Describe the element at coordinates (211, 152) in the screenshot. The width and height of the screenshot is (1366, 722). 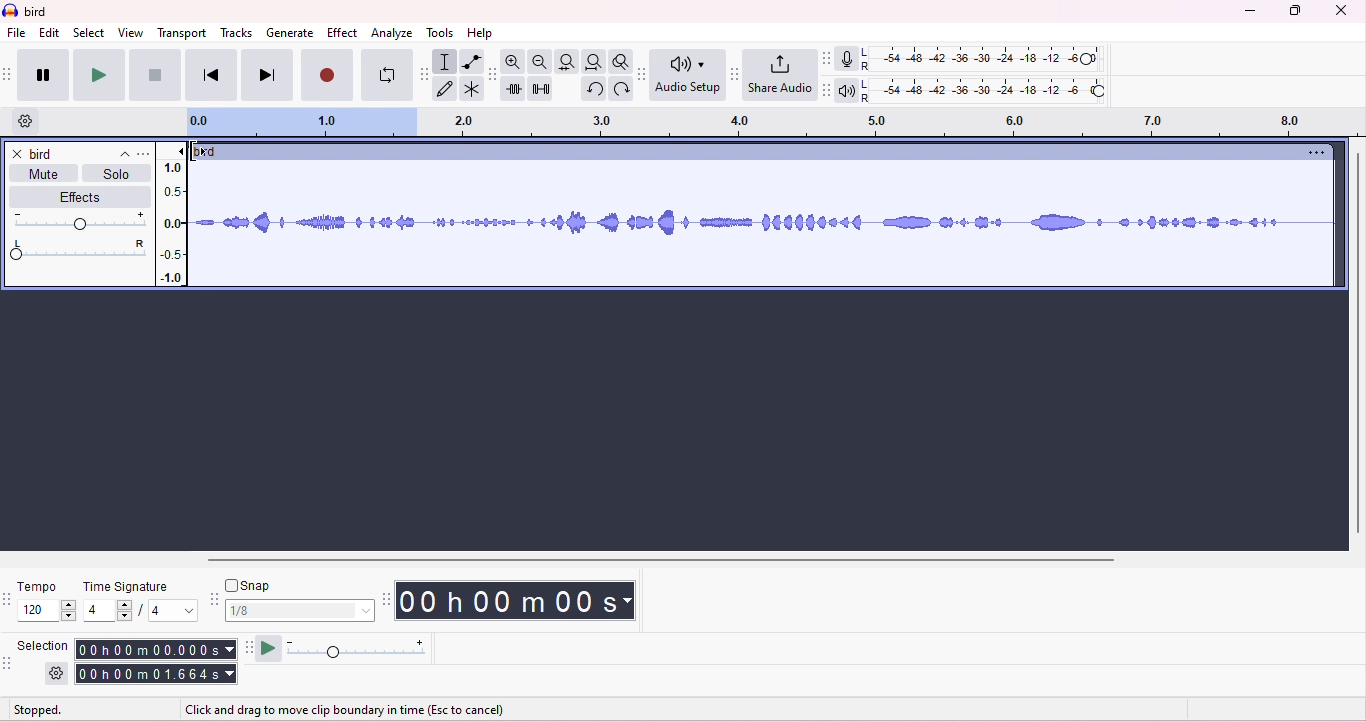
I see `track title` at that location.